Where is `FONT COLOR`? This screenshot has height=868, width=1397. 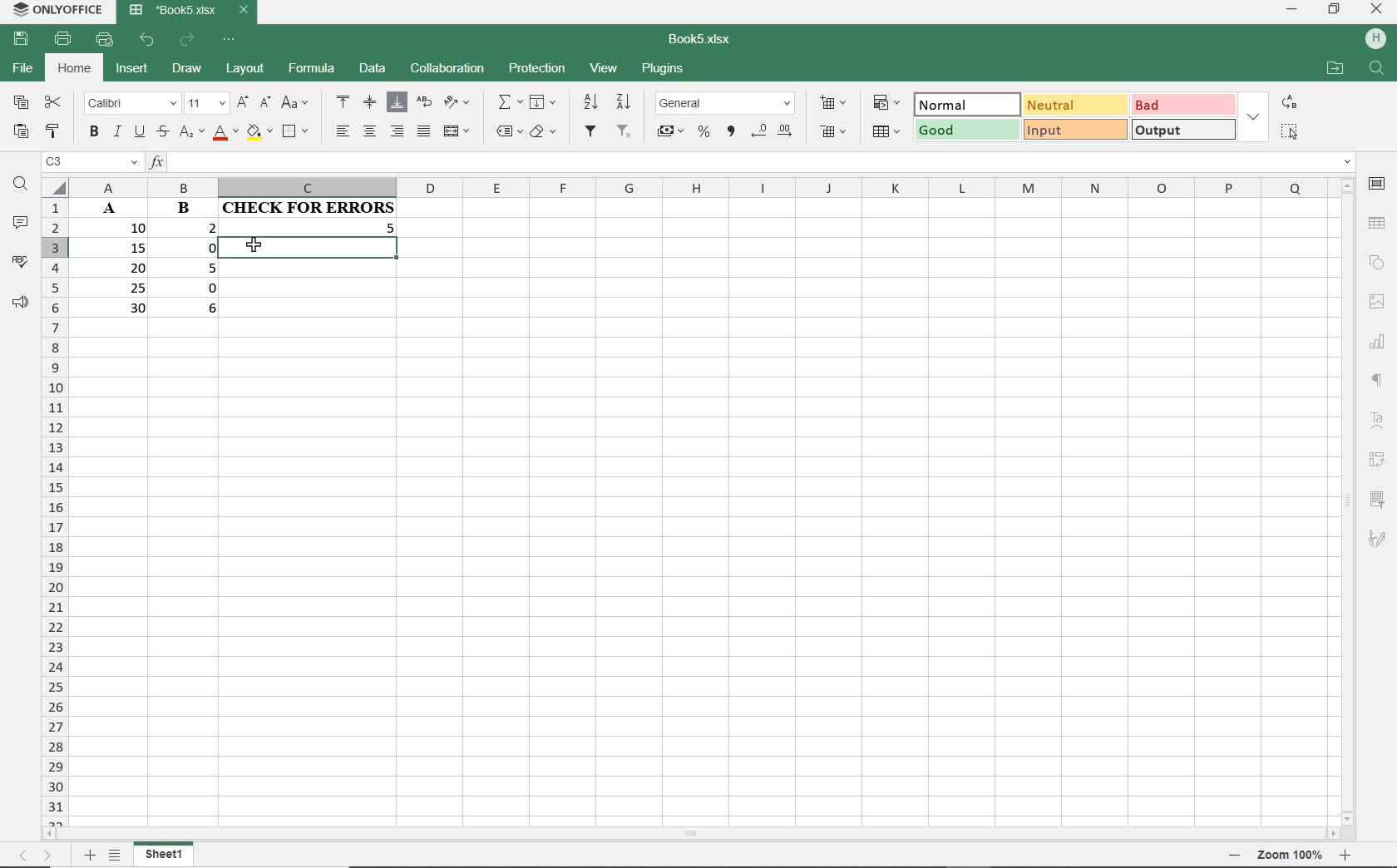 FONT COLOR is located at coordinates (224, 134).